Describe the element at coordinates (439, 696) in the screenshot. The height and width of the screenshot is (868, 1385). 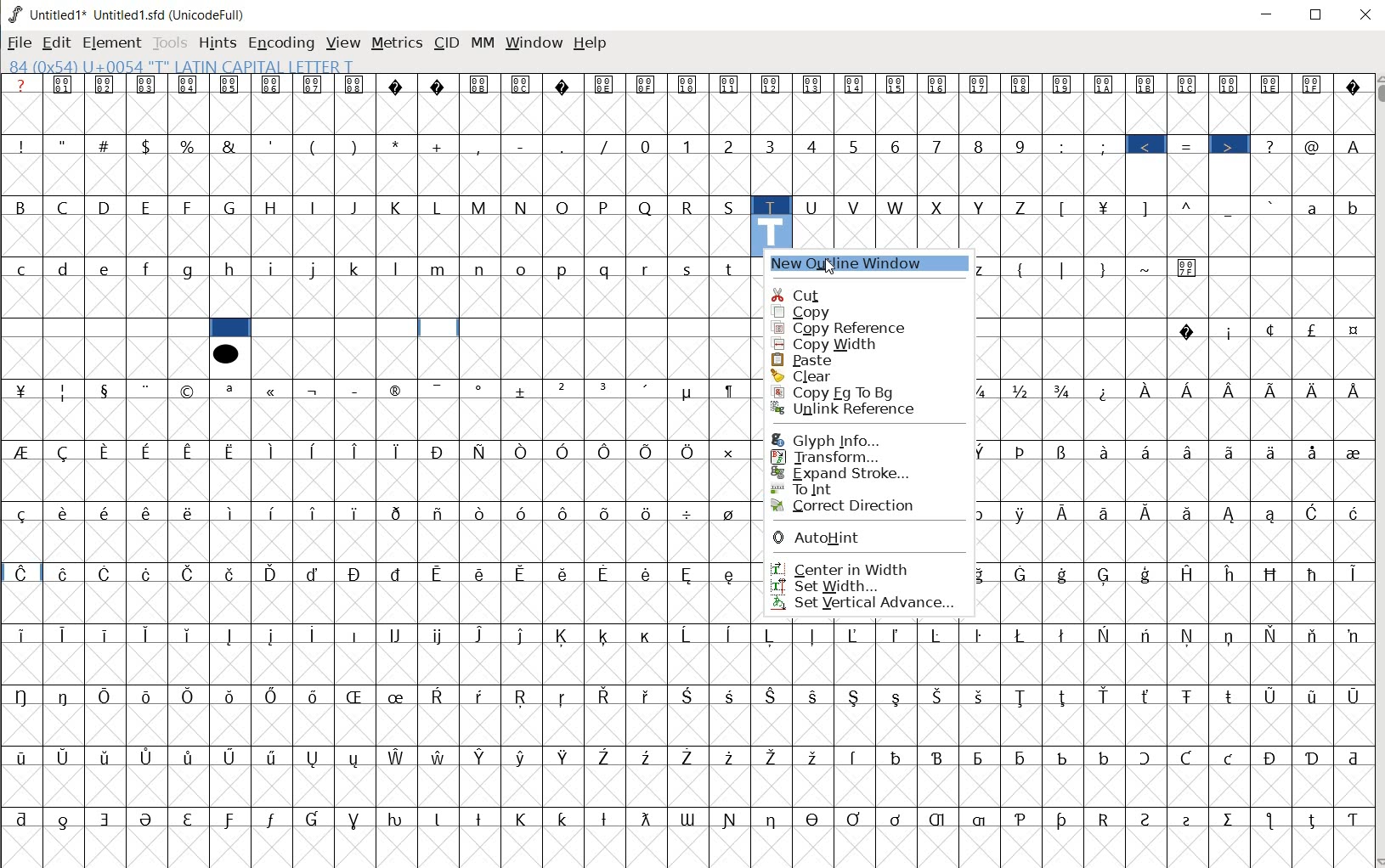
I see `Symbol` at that location.